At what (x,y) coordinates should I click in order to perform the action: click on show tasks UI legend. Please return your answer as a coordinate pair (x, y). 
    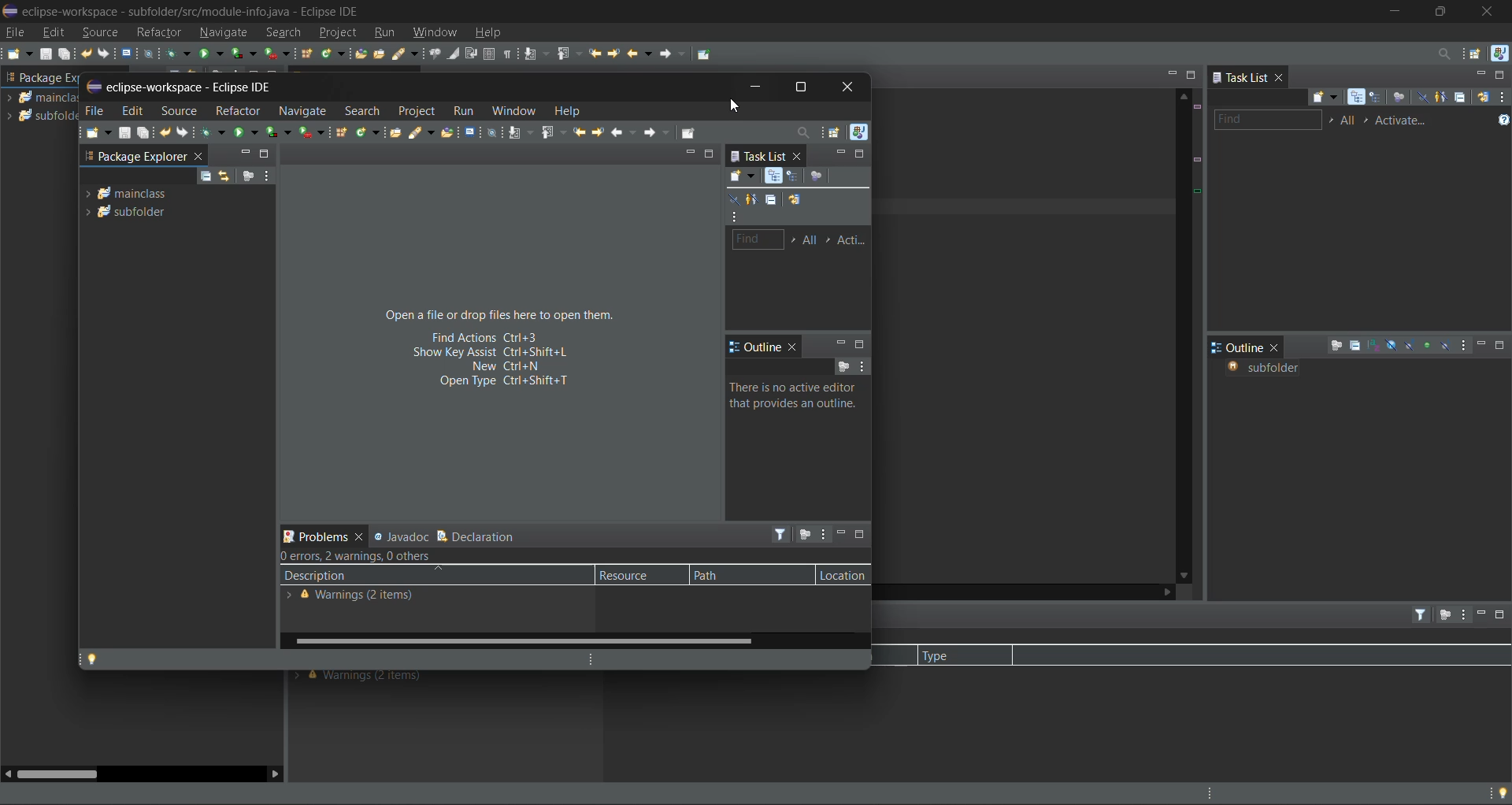
    Looking at the image, I should click on (1498, 123).